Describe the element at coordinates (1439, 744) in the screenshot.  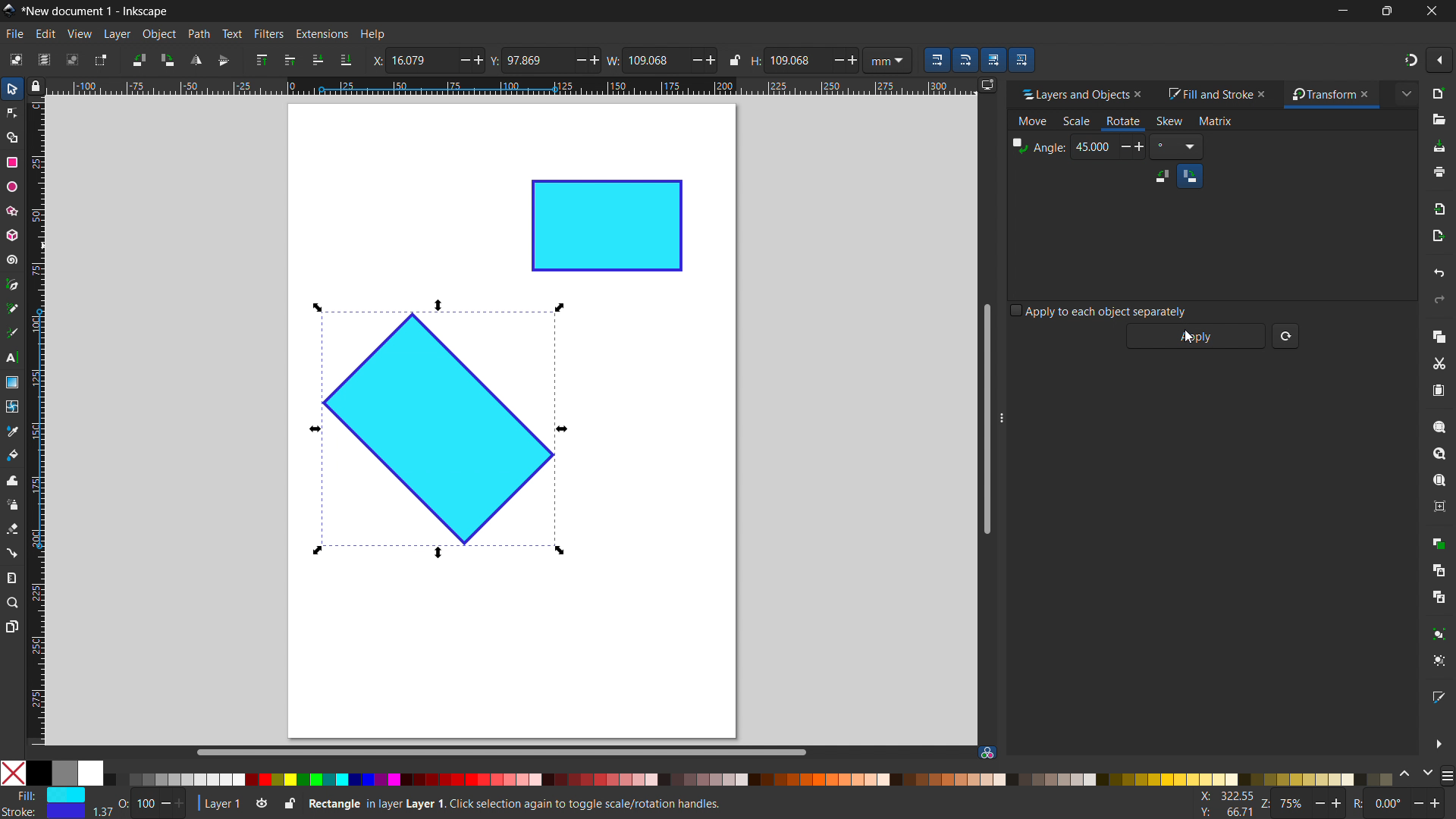
I see `more options` at that location.